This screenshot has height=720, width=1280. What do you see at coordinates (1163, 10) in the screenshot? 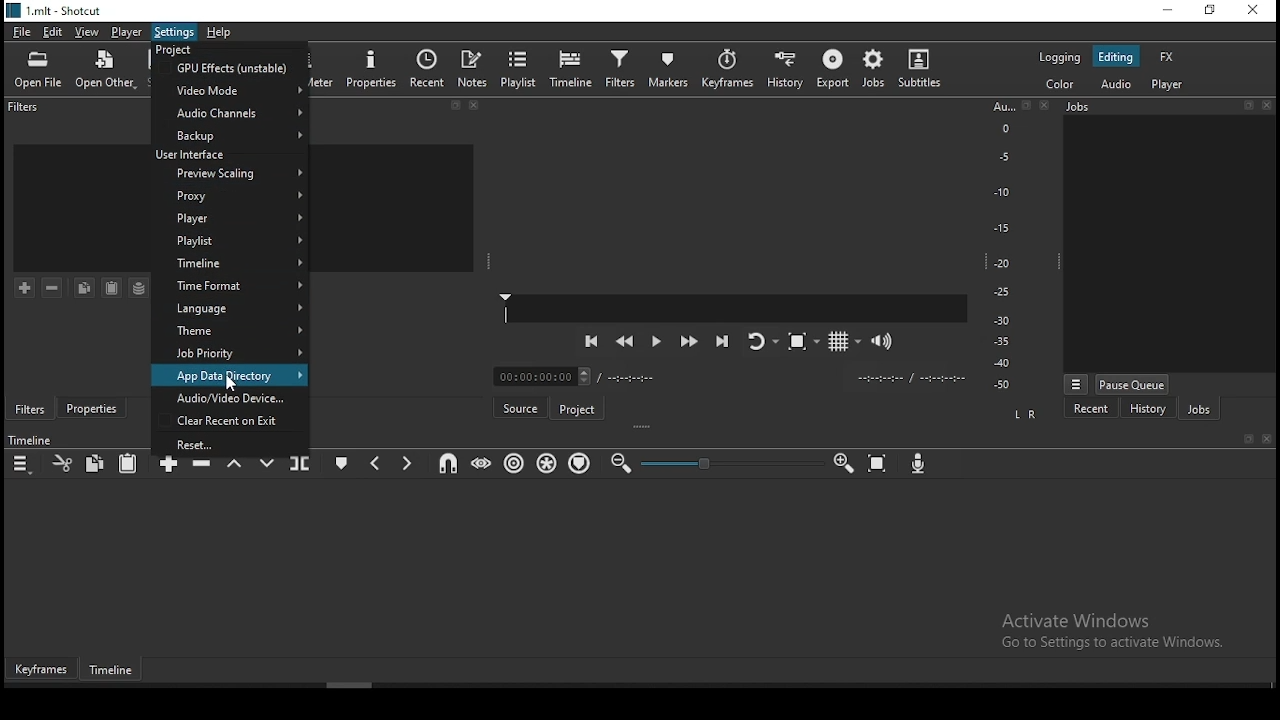
I see `minimize` at bounding box center [1163, 10].